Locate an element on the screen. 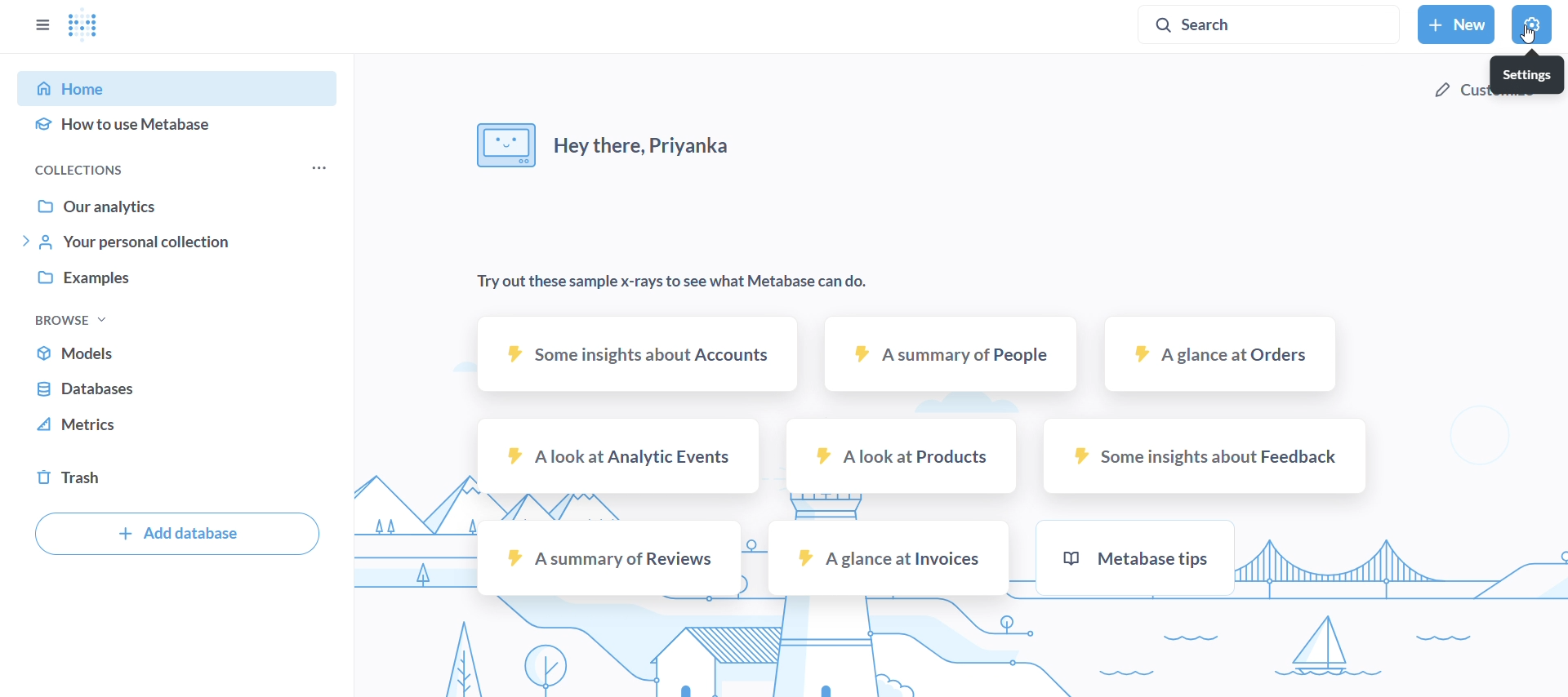 Image resolution: width=1568 pixels, height=697 pixels. metrics is located at coordinates (180, 430).